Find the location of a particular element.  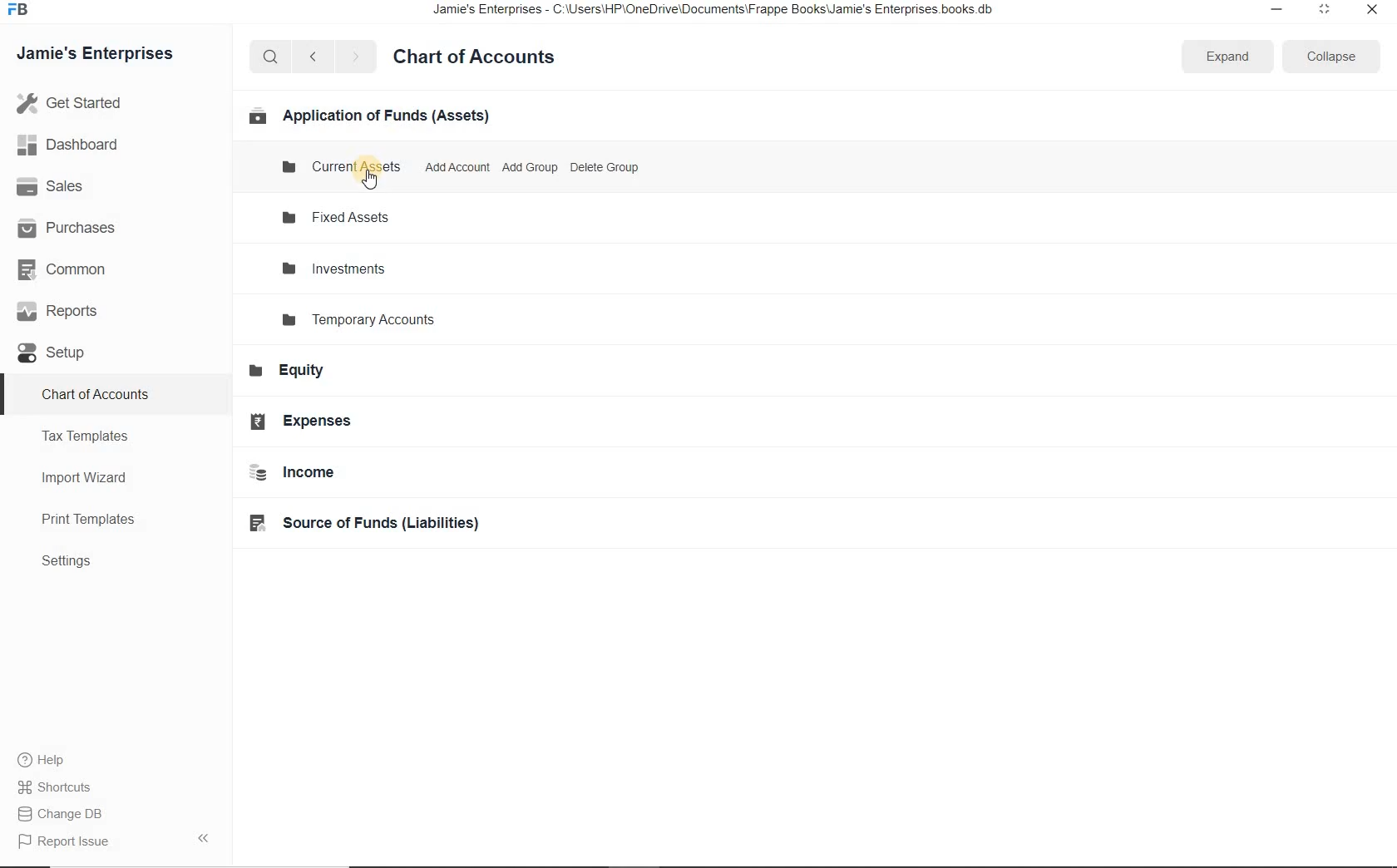

Print Templates is located at coordinates (97, 520).